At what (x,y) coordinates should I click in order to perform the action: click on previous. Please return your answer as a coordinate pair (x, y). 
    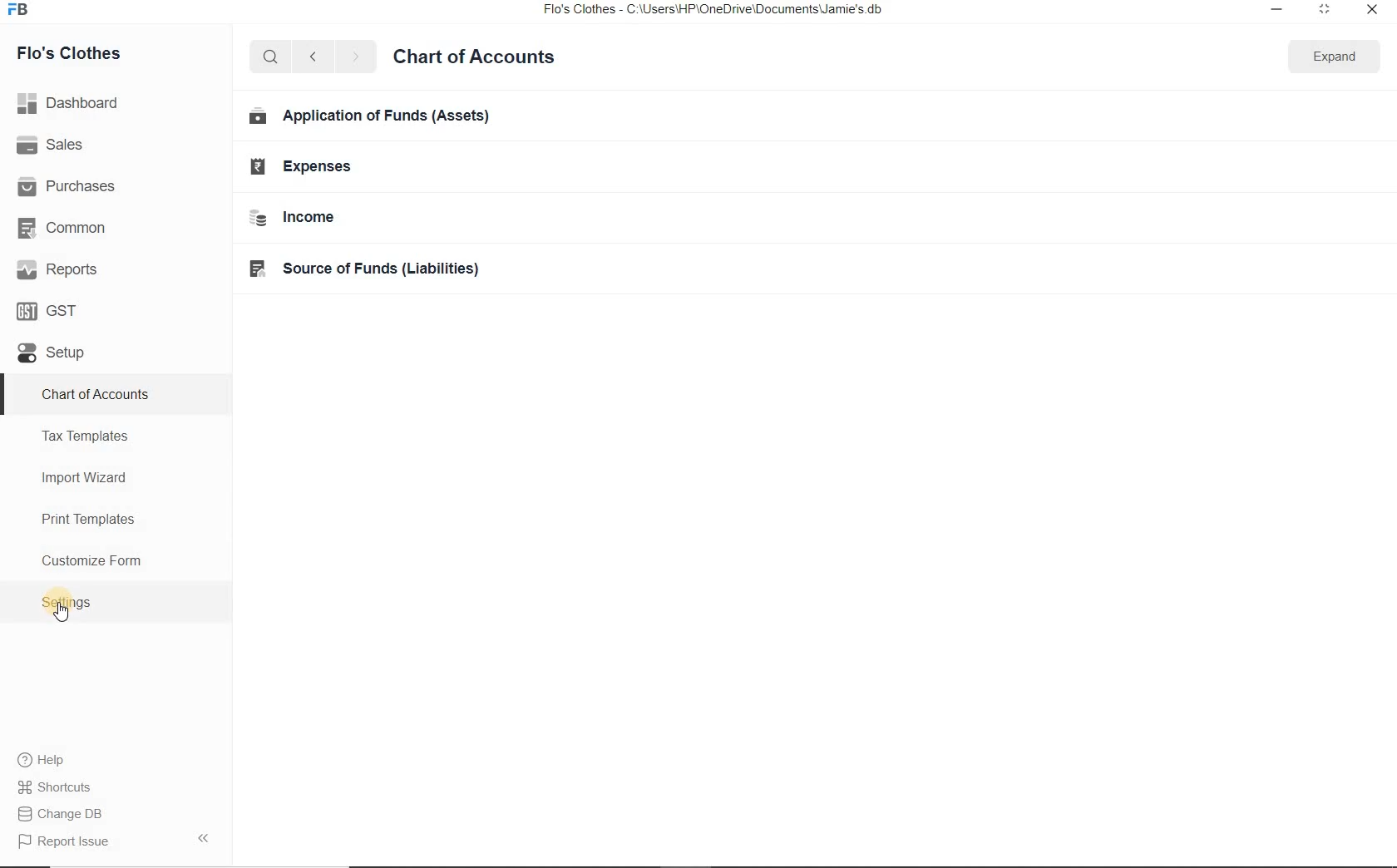
    Looking at the image, I should click on (313, 58).